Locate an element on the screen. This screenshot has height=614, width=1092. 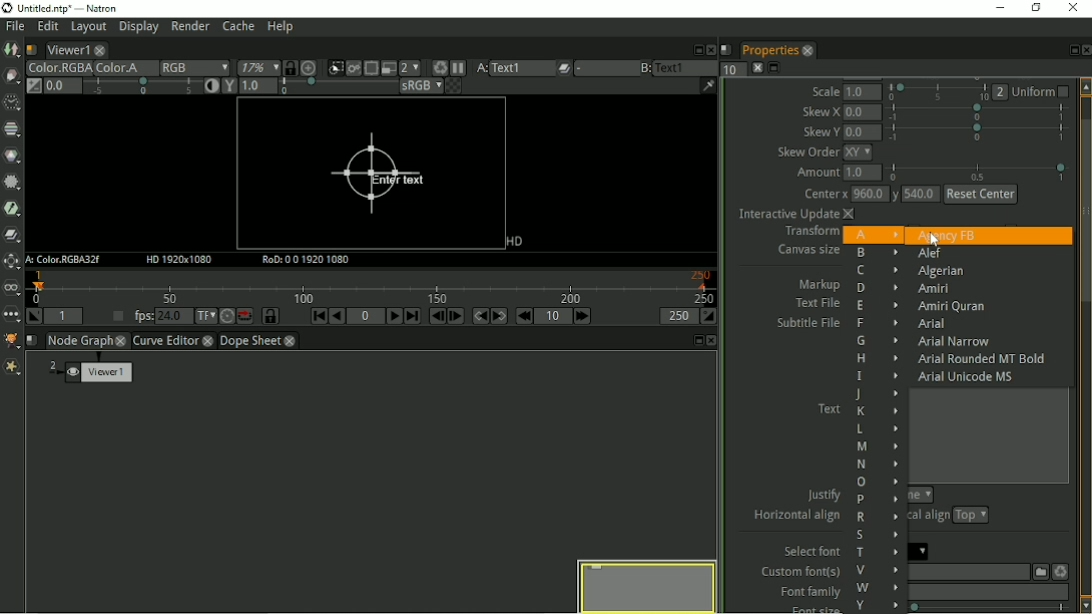
Enable the region of interest that limit the portion of the viewer that is kept updated. is located at coordinates (371, 66).